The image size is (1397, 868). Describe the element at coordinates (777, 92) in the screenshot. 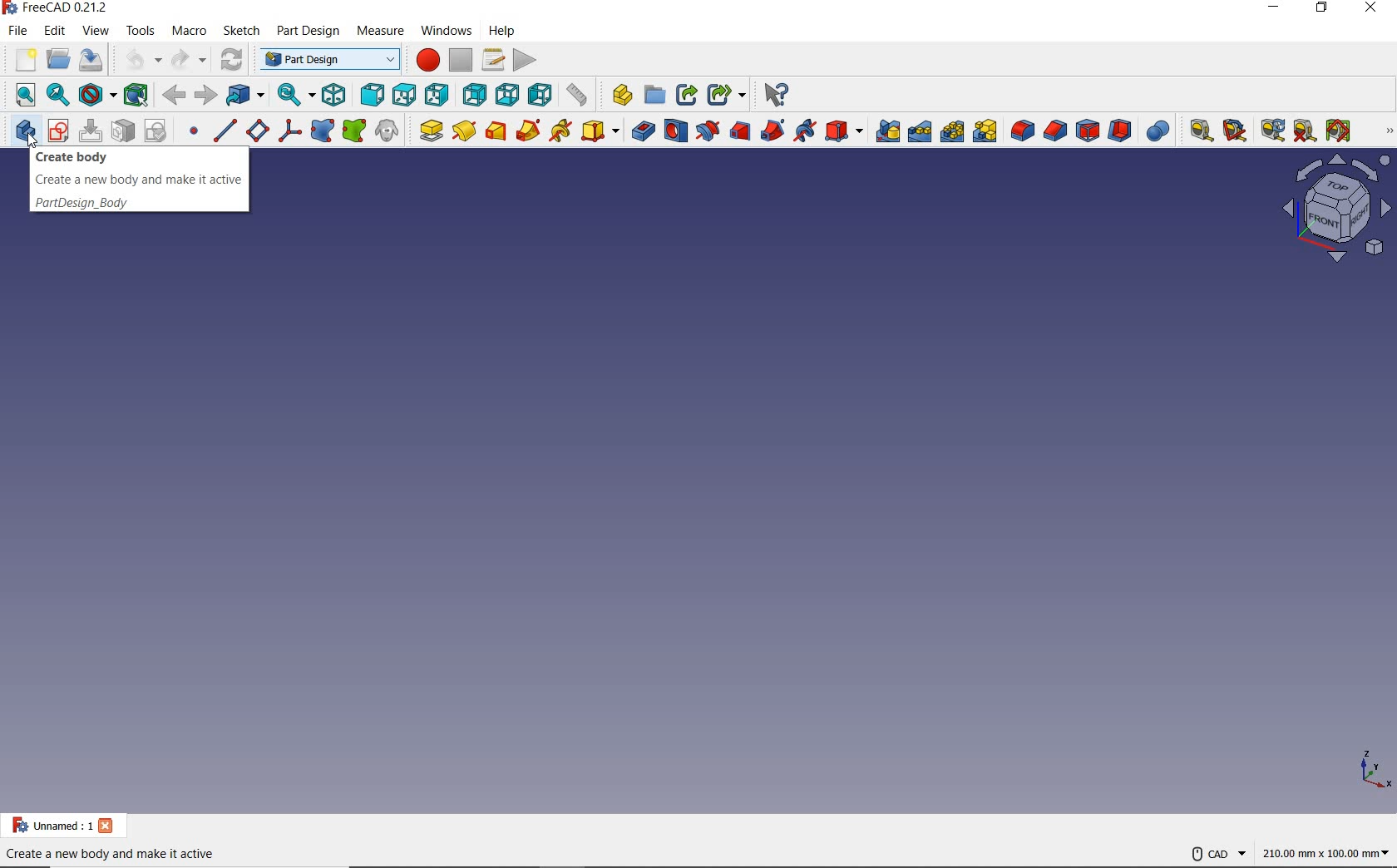

I see `What's this?` at that location.